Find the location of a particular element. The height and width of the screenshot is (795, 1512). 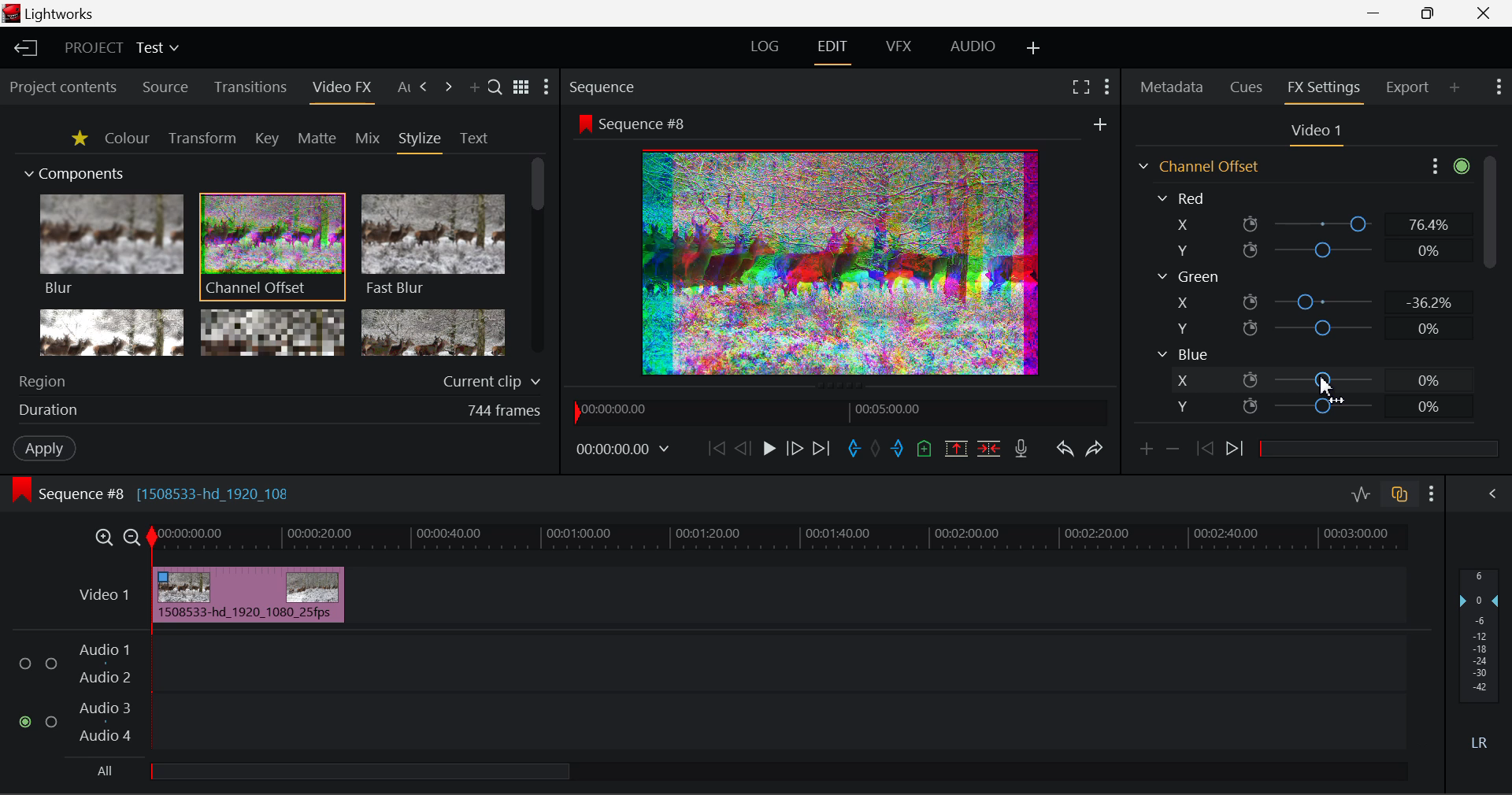

Window Title is located at coordinates (60, 14).